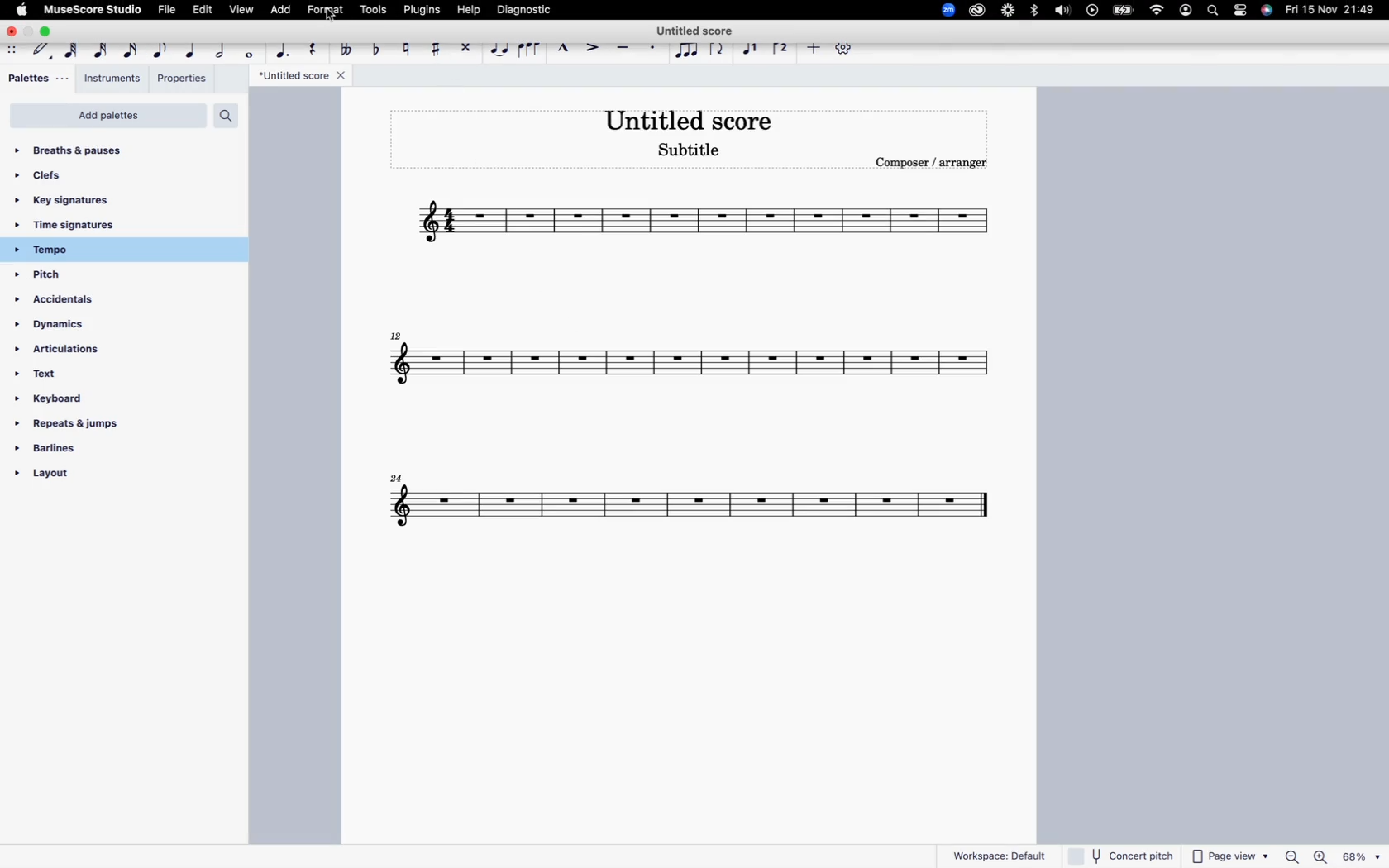 This screenshot has height=868, width=1389. What do you see at coordinates (691, 364) in the screenshot?
I see `score` at bounding box center [691, 364].